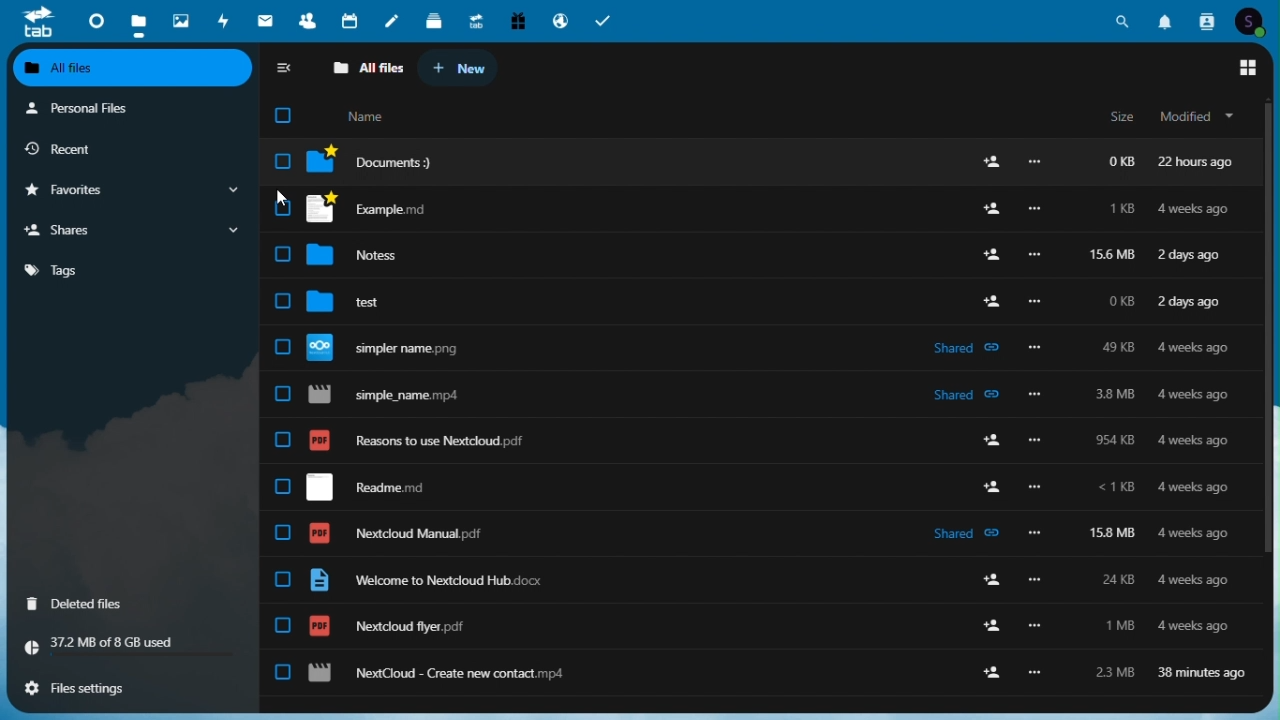  Describe the element at coordinates (1199, 395) in the screenshot. I see `4 weeks ago` at that location.